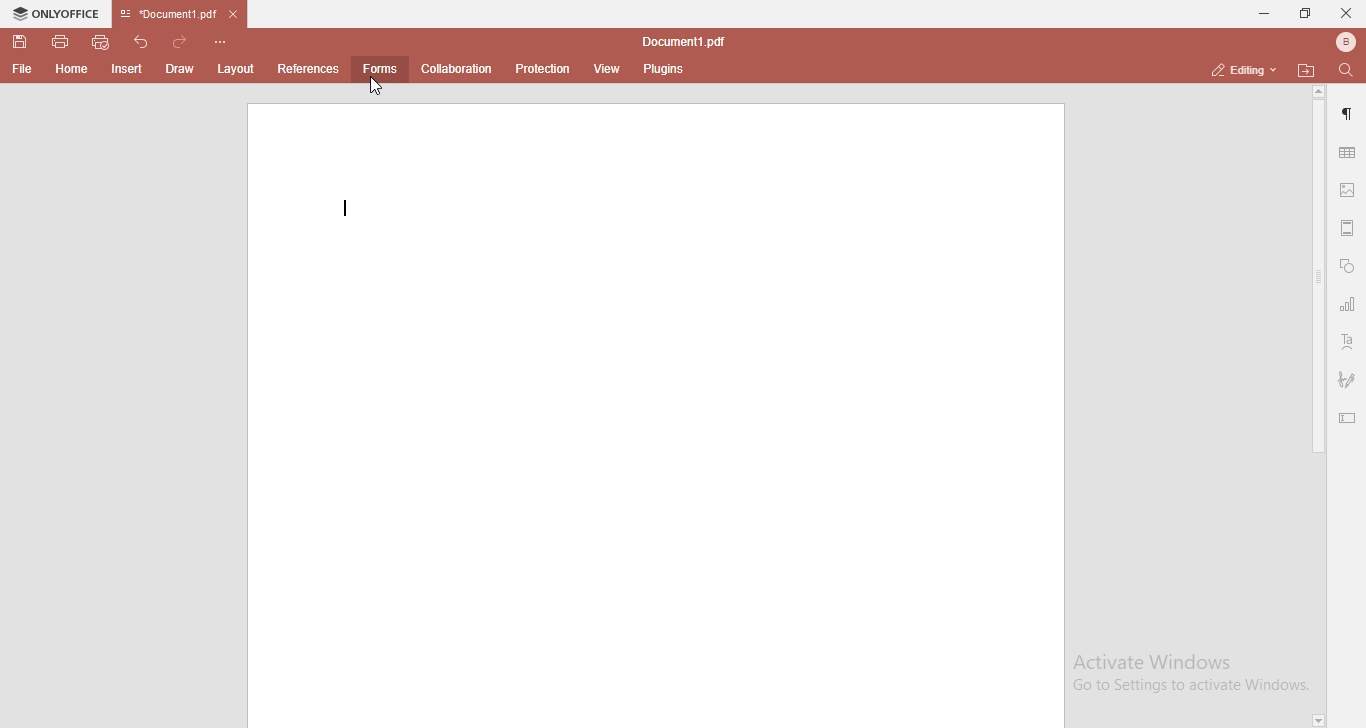 The image size is (1366, 728). Describe the element at coordinates (73, 71) in the screenshot. I see `home` at that location.